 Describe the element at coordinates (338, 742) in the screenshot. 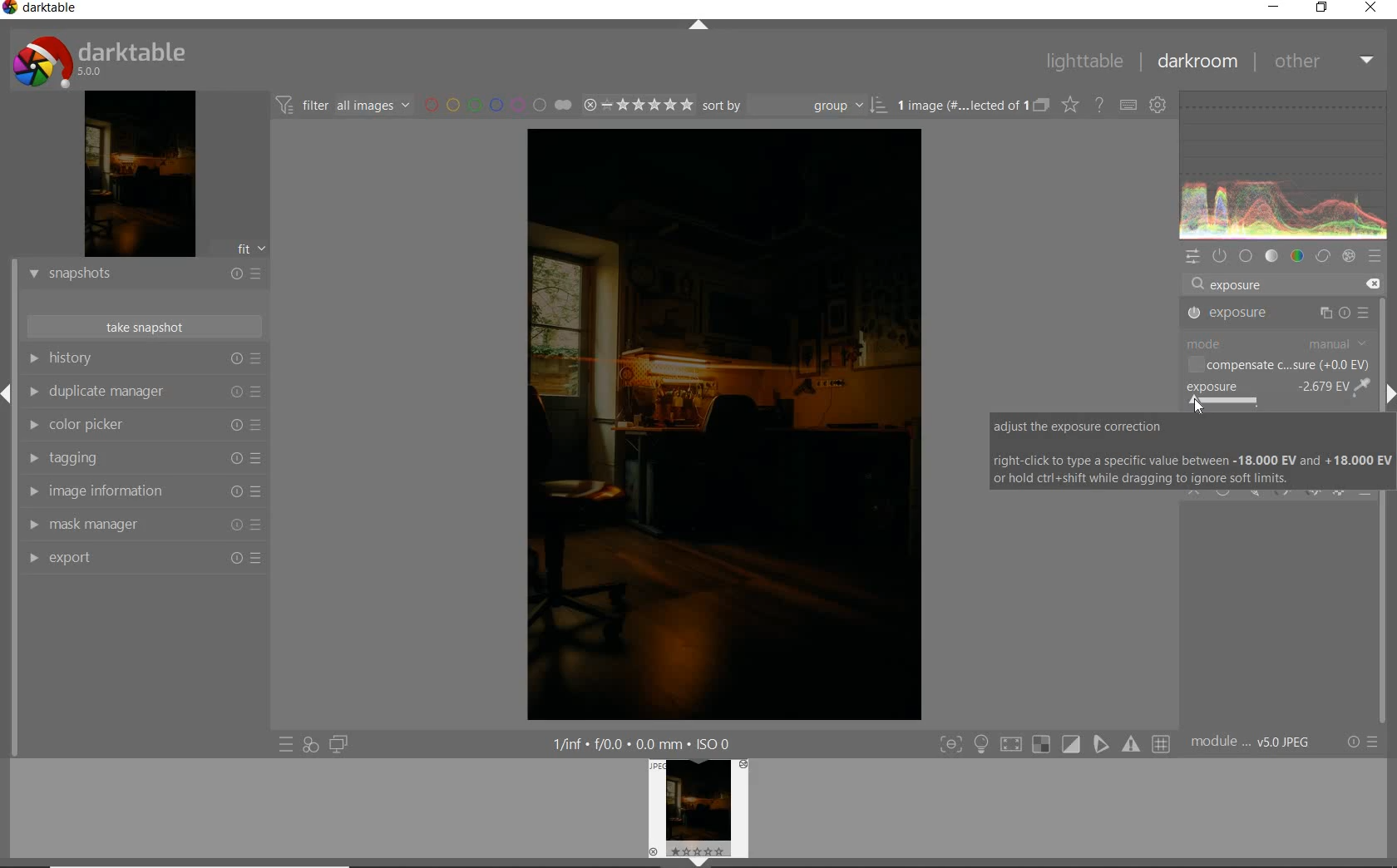

I see `display a second darkroom image below` at that location.